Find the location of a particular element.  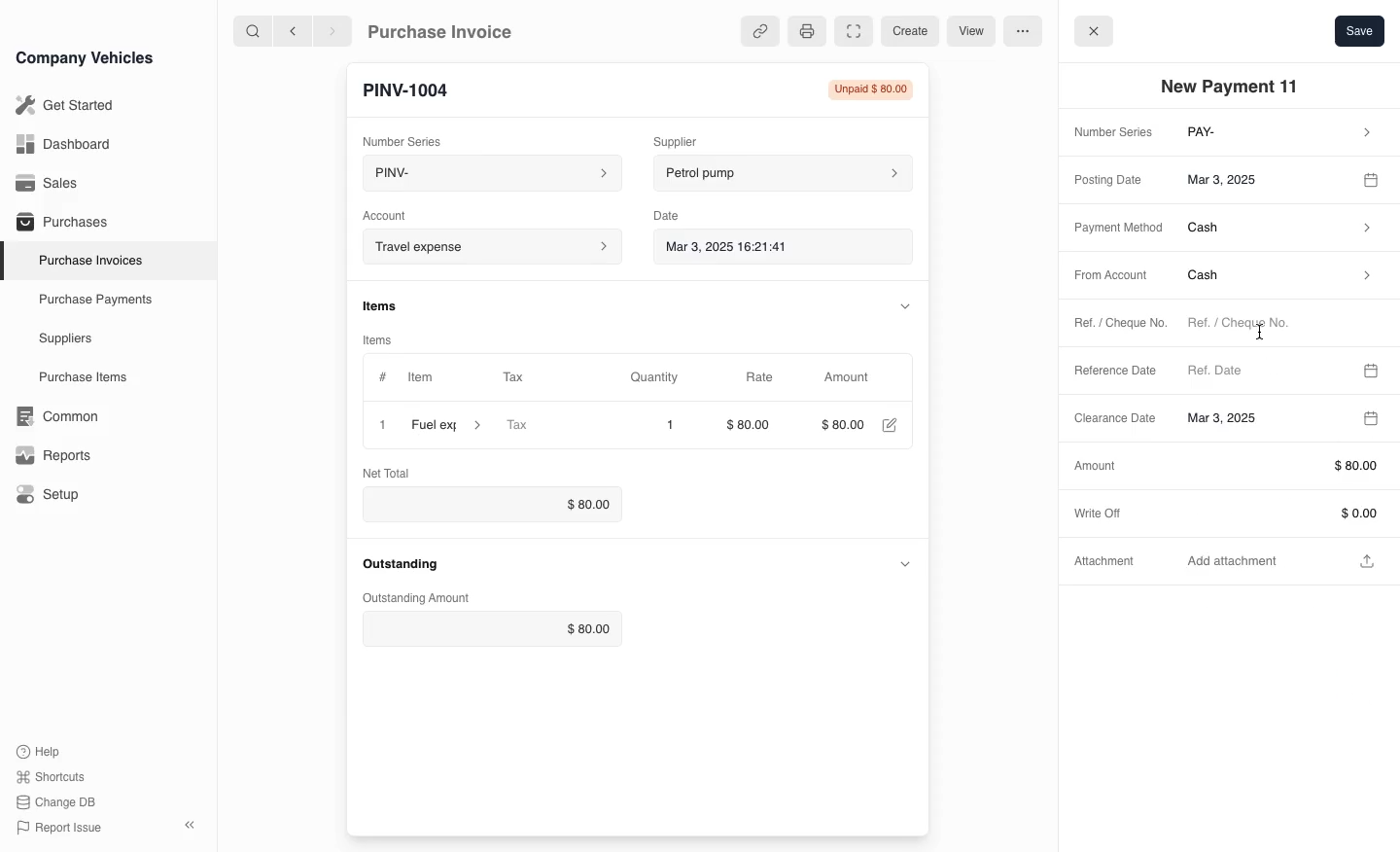

calender is located at coordinates (1374, 178).